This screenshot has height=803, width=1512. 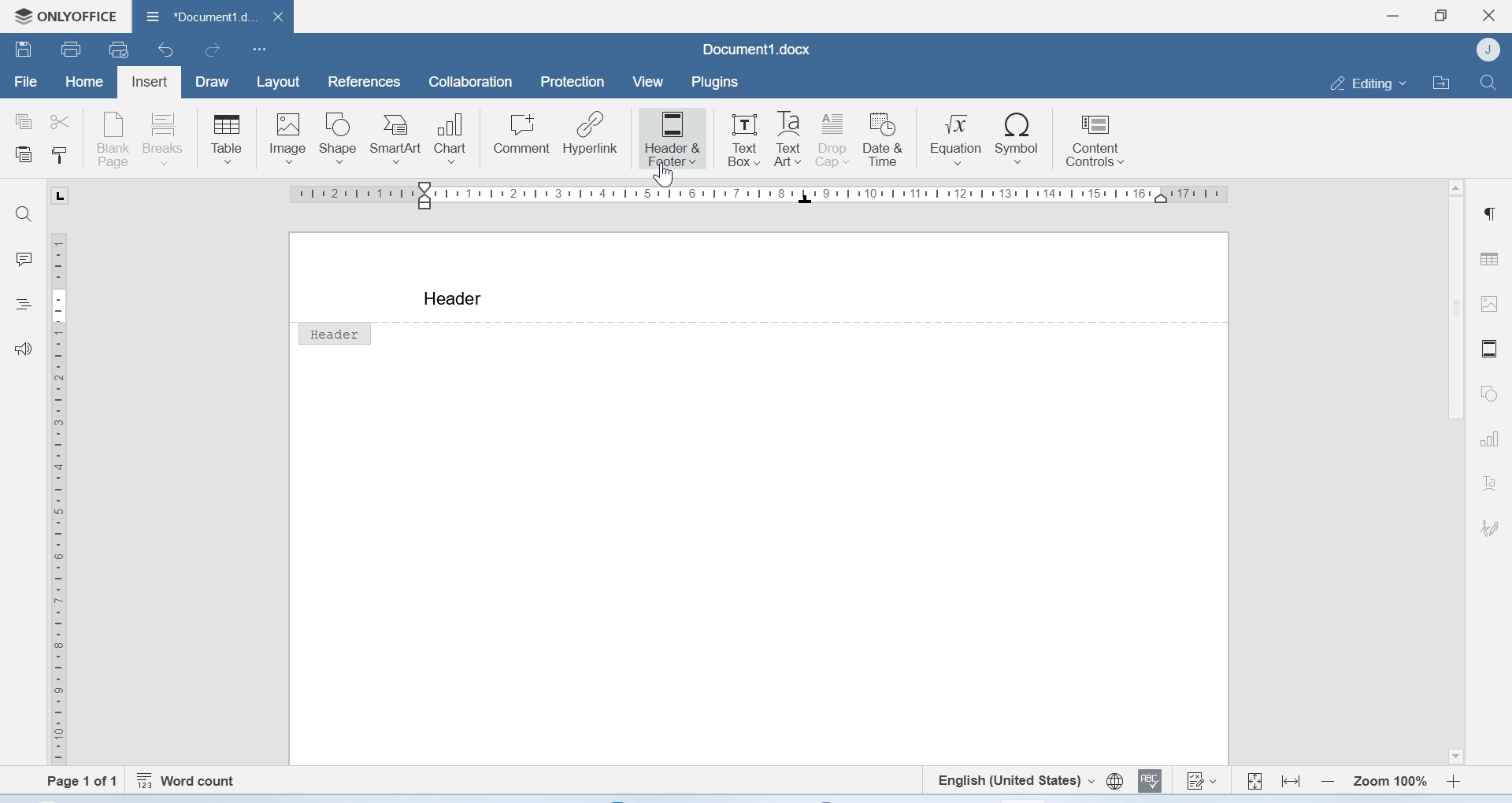 I want to click on Comments, so click(x=24, y=259).